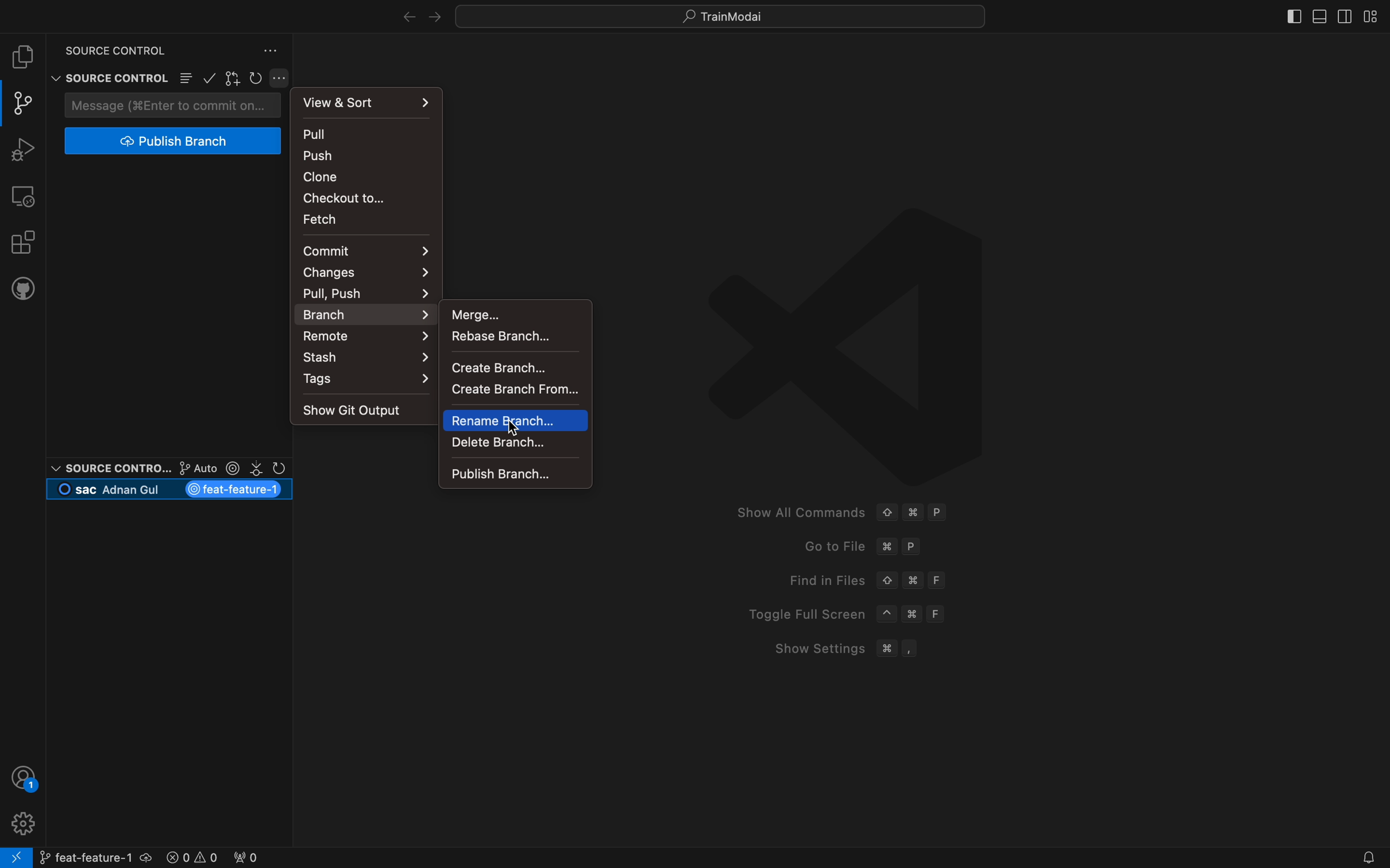 This screenshot has height=868, width=1390. I want to click on Source control, so click(107, 67).